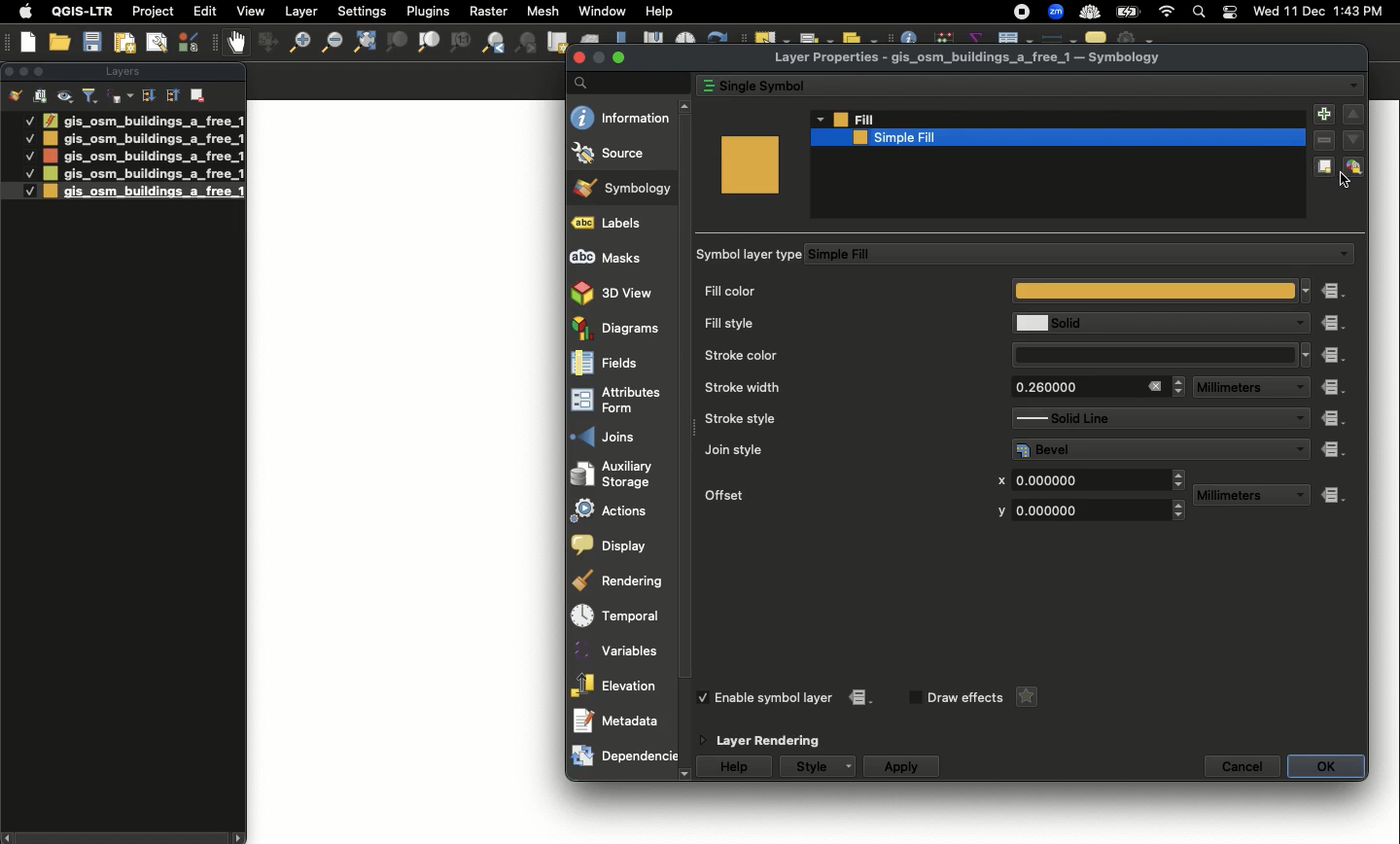 The height and width of the screenshot is (844, 1400). What do you see at coordinates (1322, 116) in the screenshot?
I see `Add` at bounding box center [1322, 116].